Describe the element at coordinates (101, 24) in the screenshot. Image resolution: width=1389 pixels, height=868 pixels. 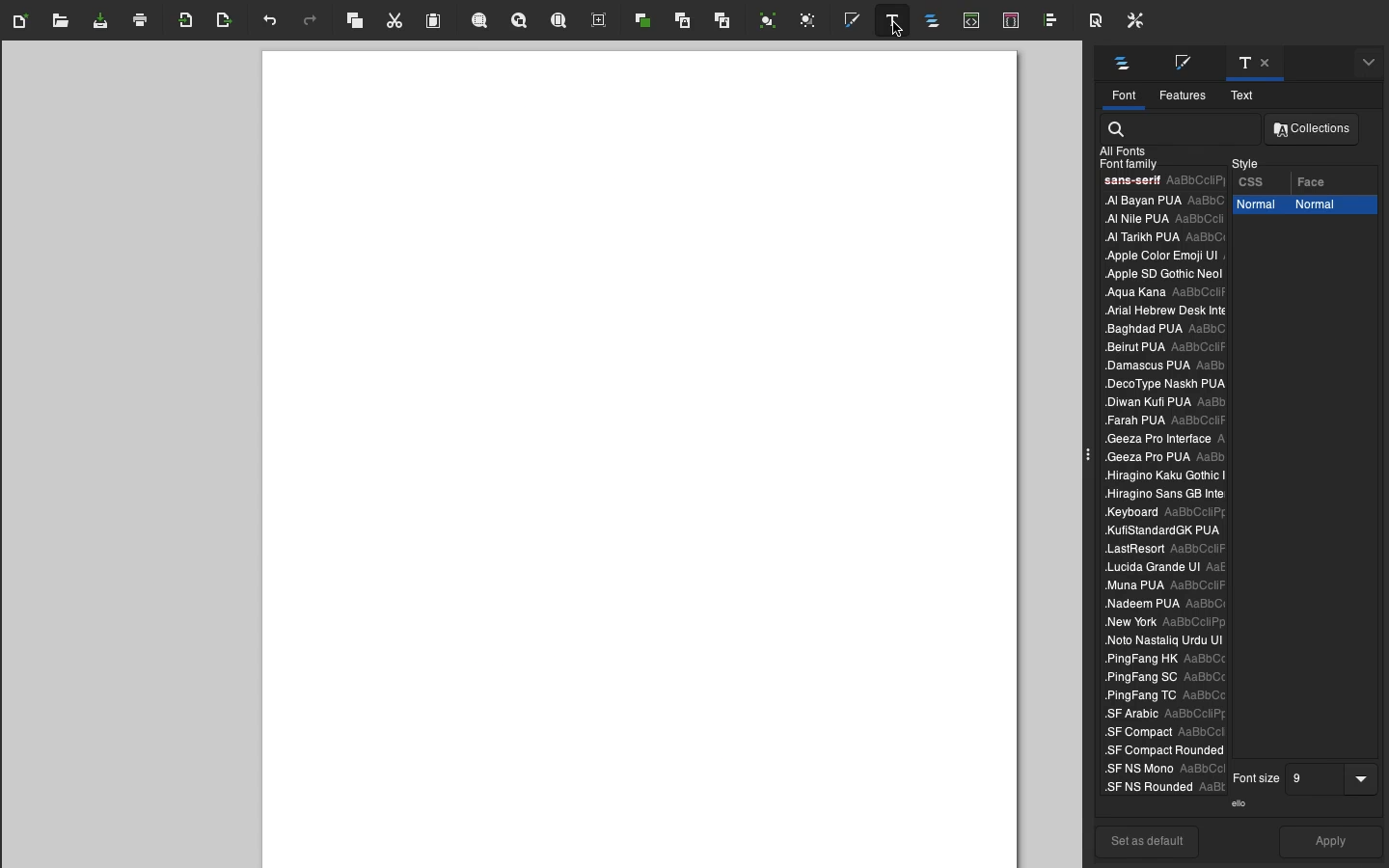
I see `Save` at that location.